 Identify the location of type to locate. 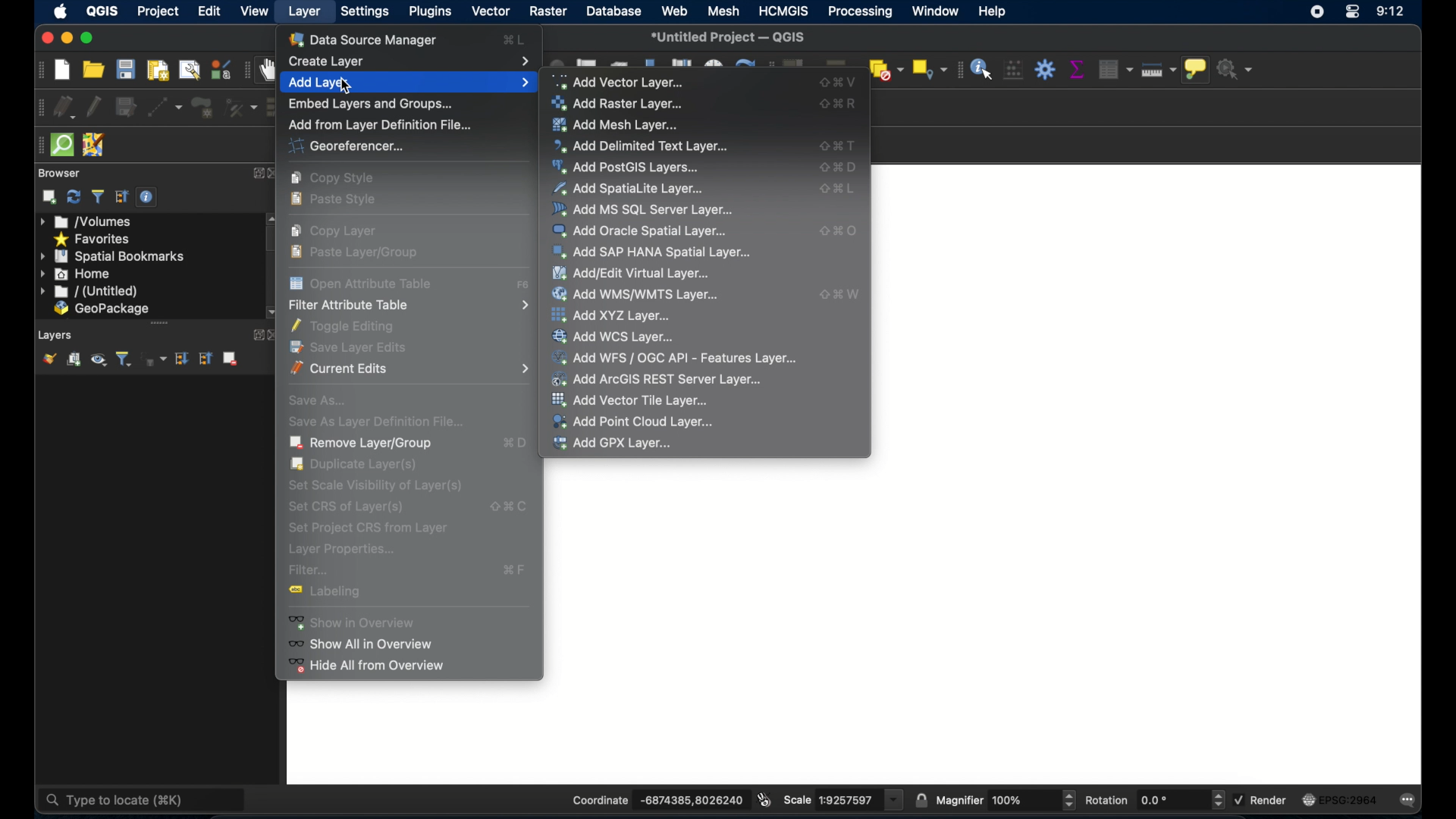
(77, 799).